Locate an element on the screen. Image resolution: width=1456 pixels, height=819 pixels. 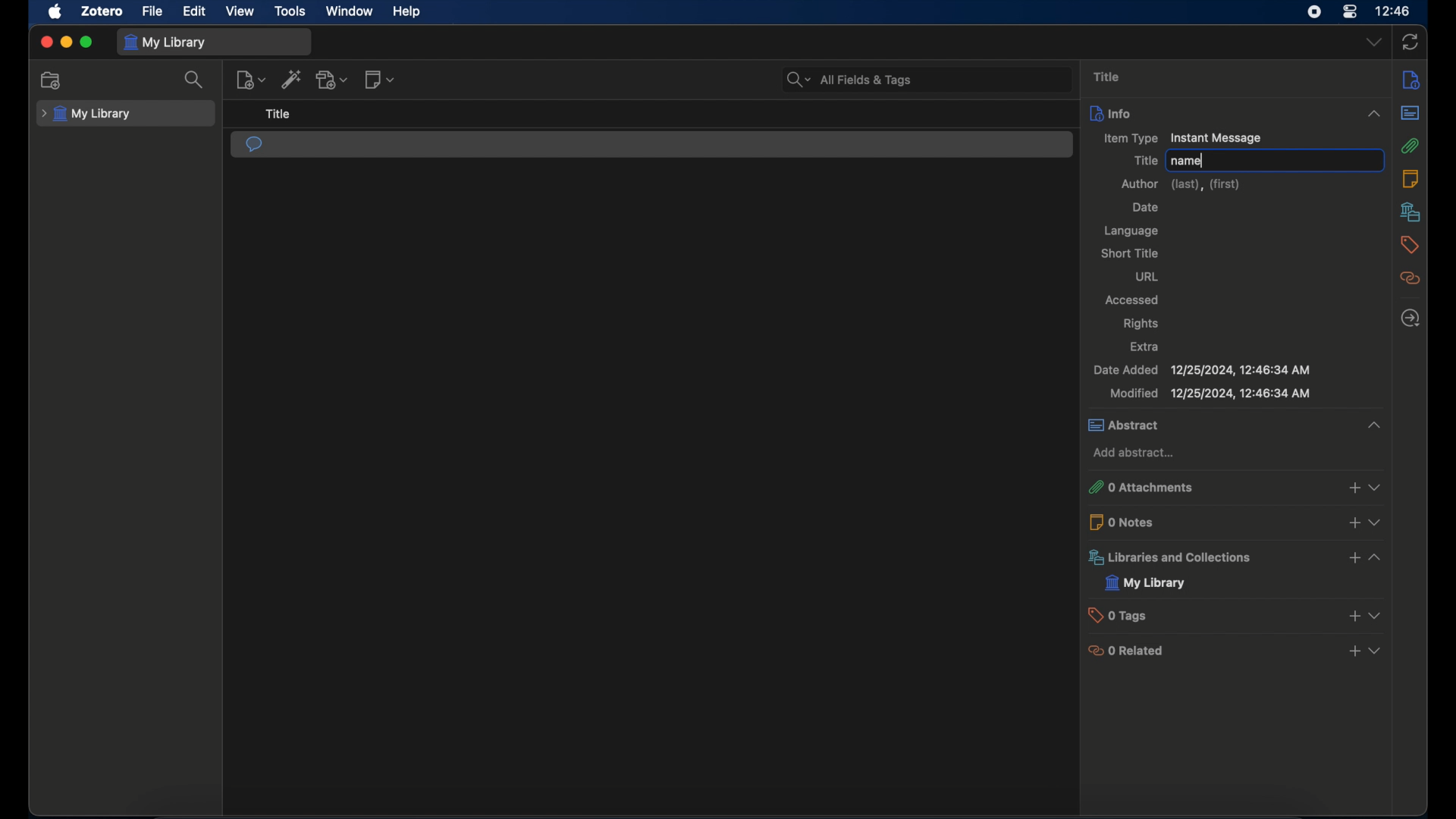
my library is located at coordinates (1144, 583).